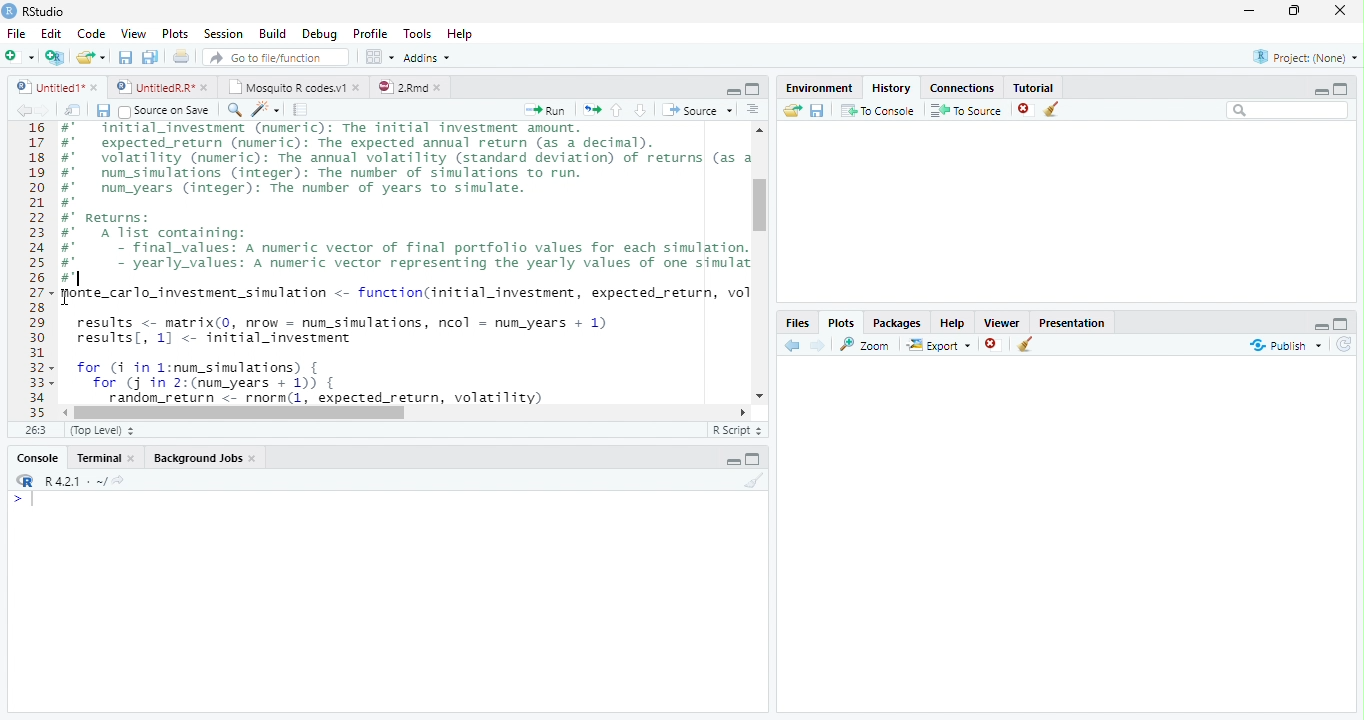 This screenshot has width=1364, height=720. Describe the element at coordinates (73, 110) in the screenshot. I see `Open in new window` at that location.